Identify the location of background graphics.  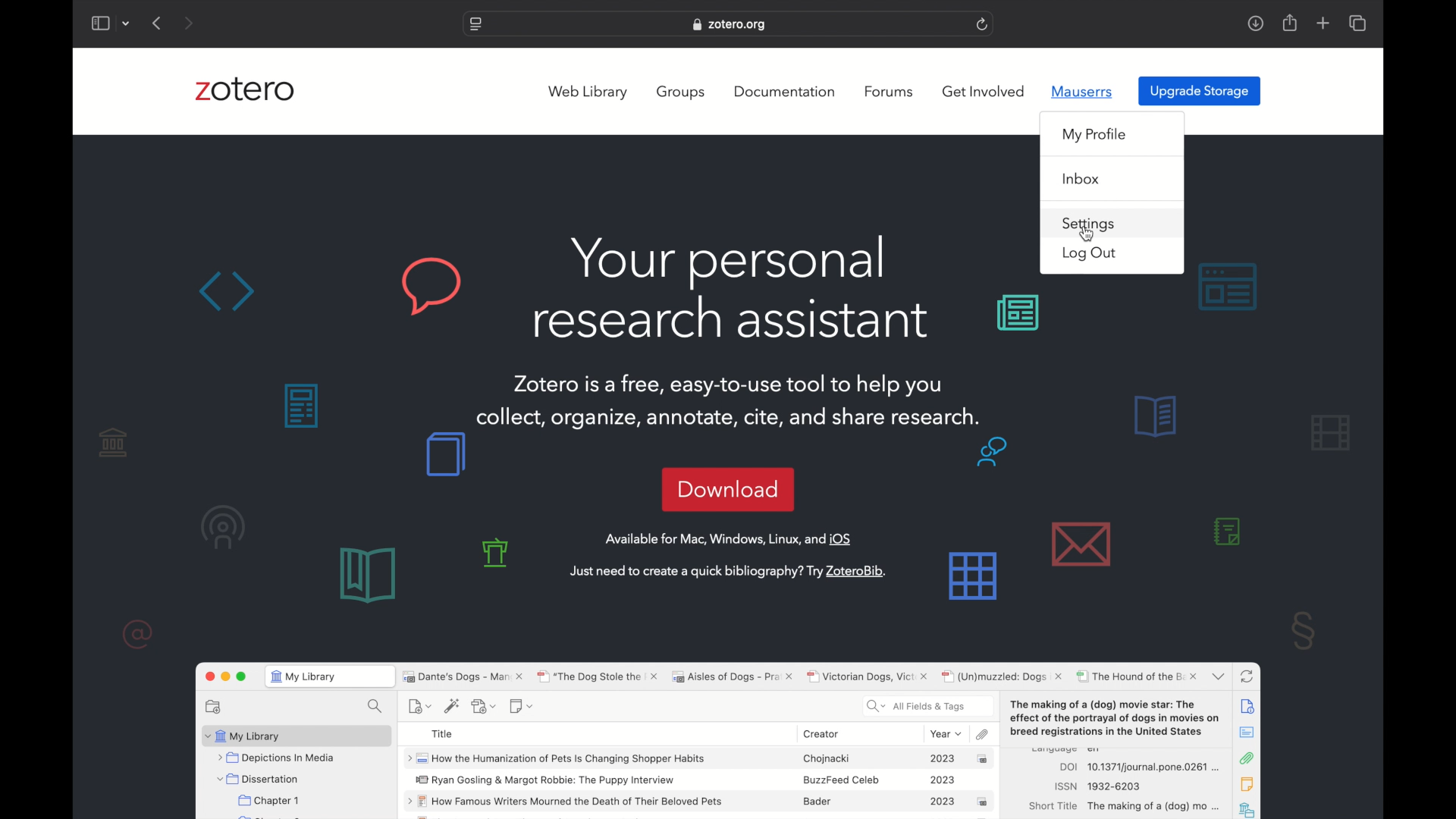
(1228, 286).